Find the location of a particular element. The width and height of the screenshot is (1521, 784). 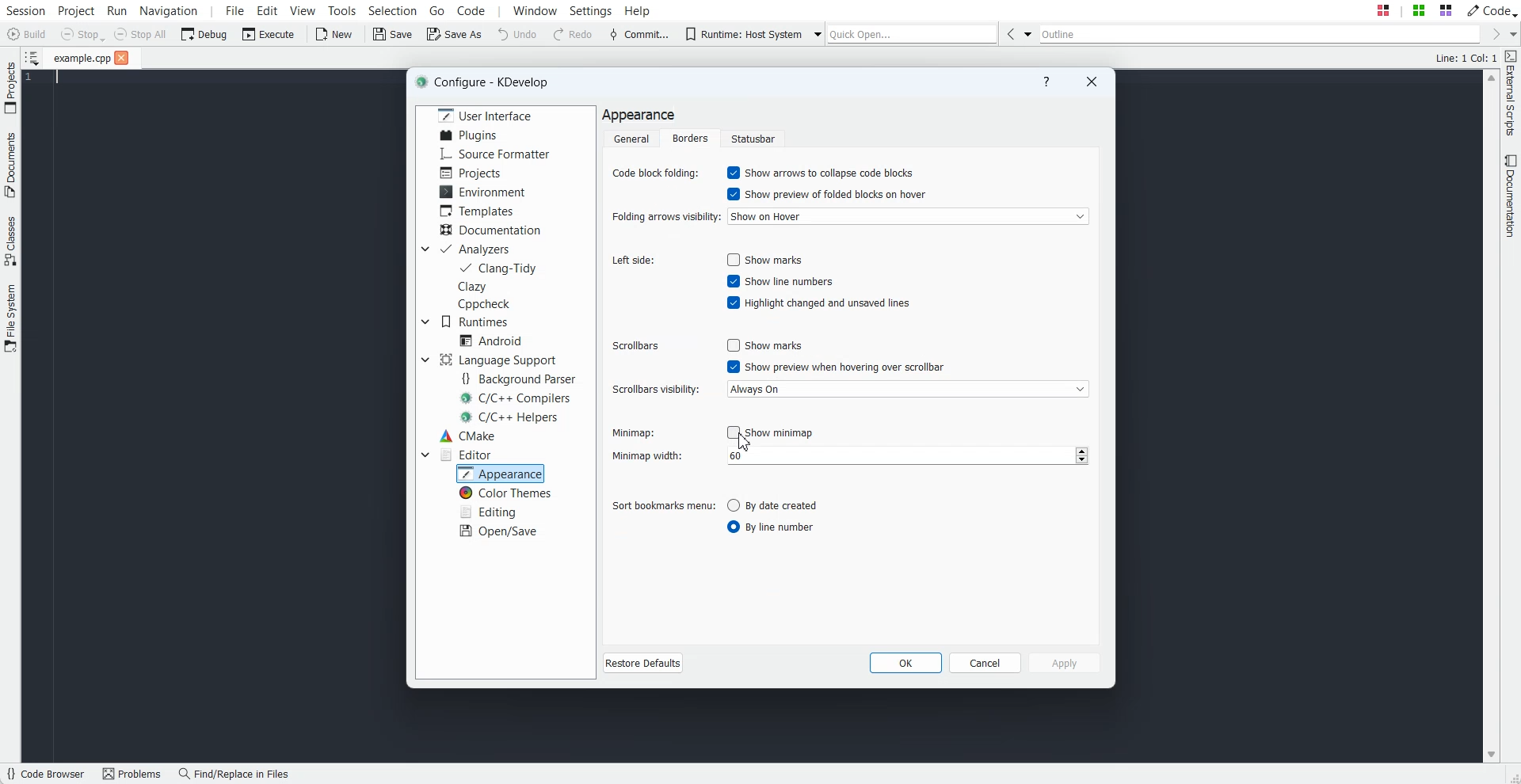

Build is located at coordinates (25, 33).